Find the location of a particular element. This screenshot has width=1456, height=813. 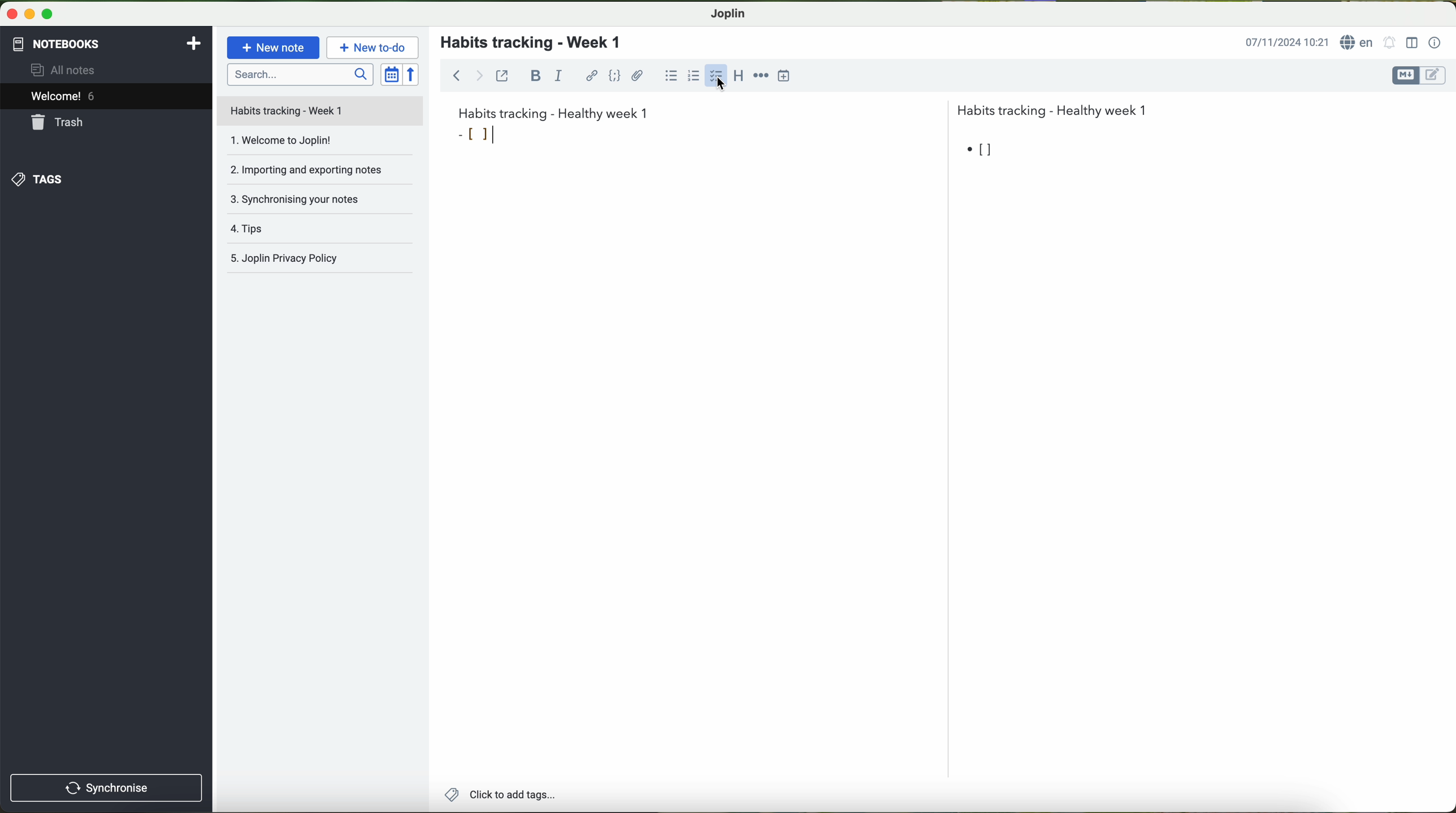

bulleted list is located at coordinates (671, 75).